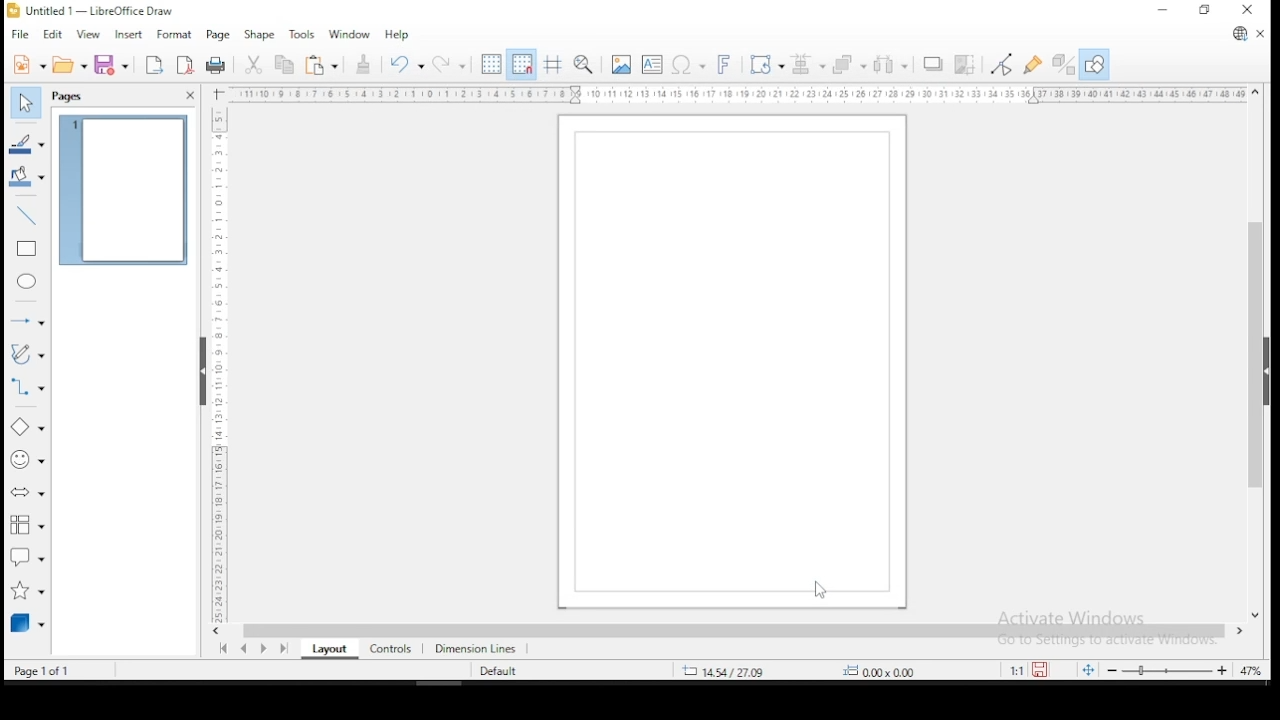 Image resolution: width=1280 pixels, height=720 pixels. What do you see at coordinates (26, 389) in the screenshot?
I see `connecters` at bounding box center [26, 389].